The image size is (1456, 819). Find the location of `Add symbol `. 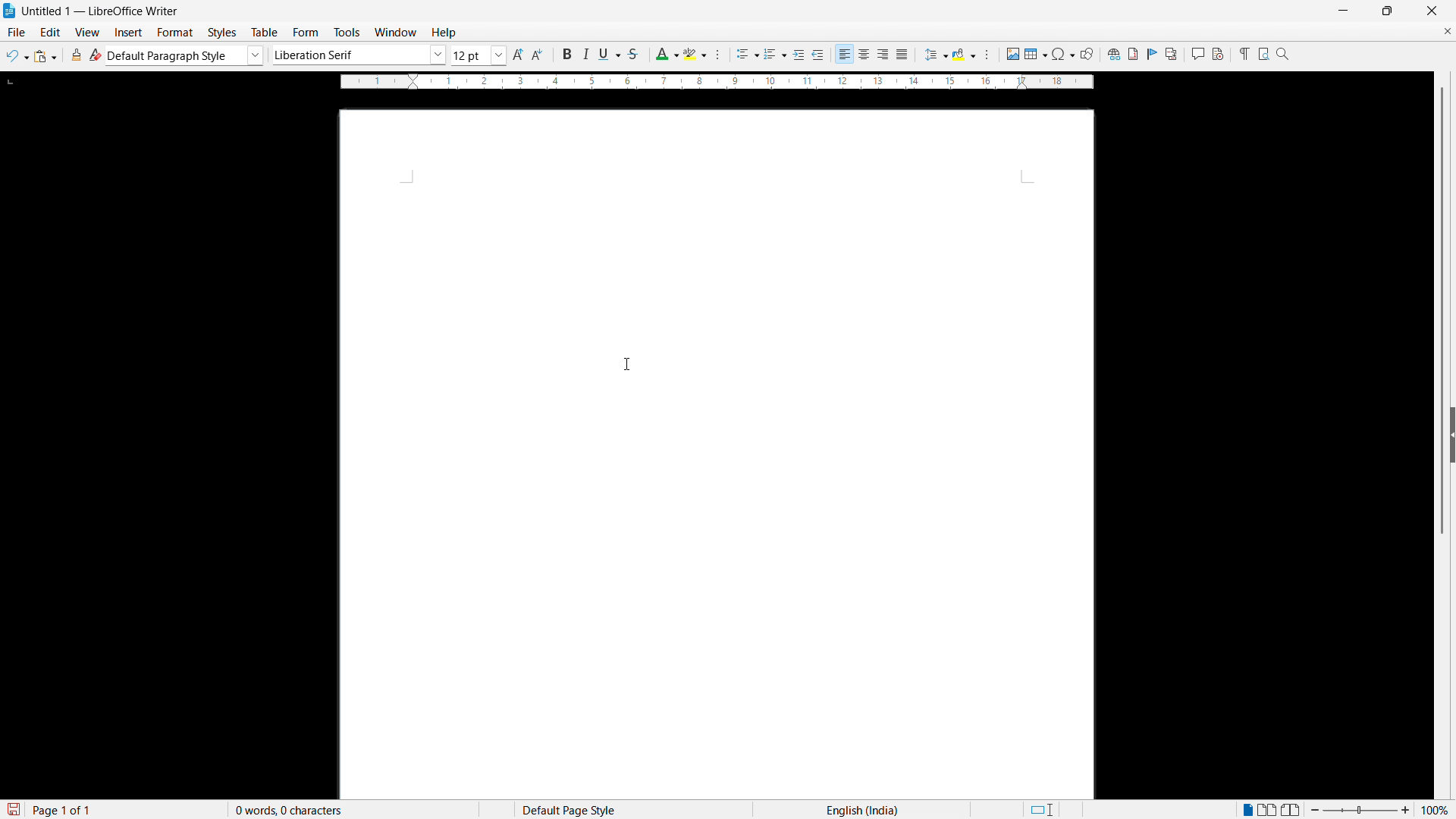

Add symbol  is located at coordinates (1062, 53).